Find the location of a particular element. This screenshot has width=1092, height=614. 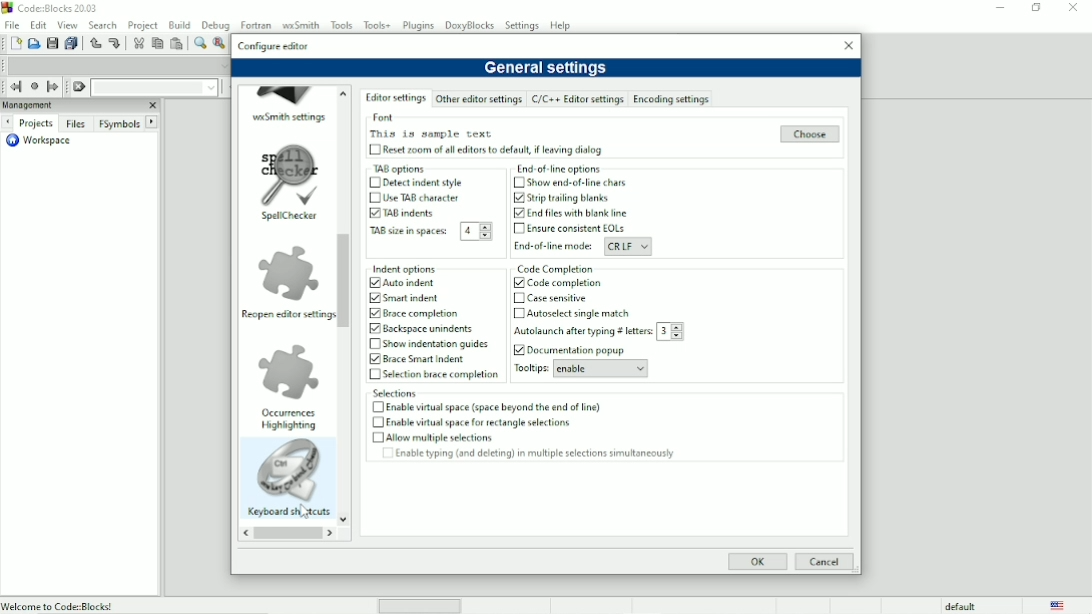

Replace is located at coordinates (220, 44).